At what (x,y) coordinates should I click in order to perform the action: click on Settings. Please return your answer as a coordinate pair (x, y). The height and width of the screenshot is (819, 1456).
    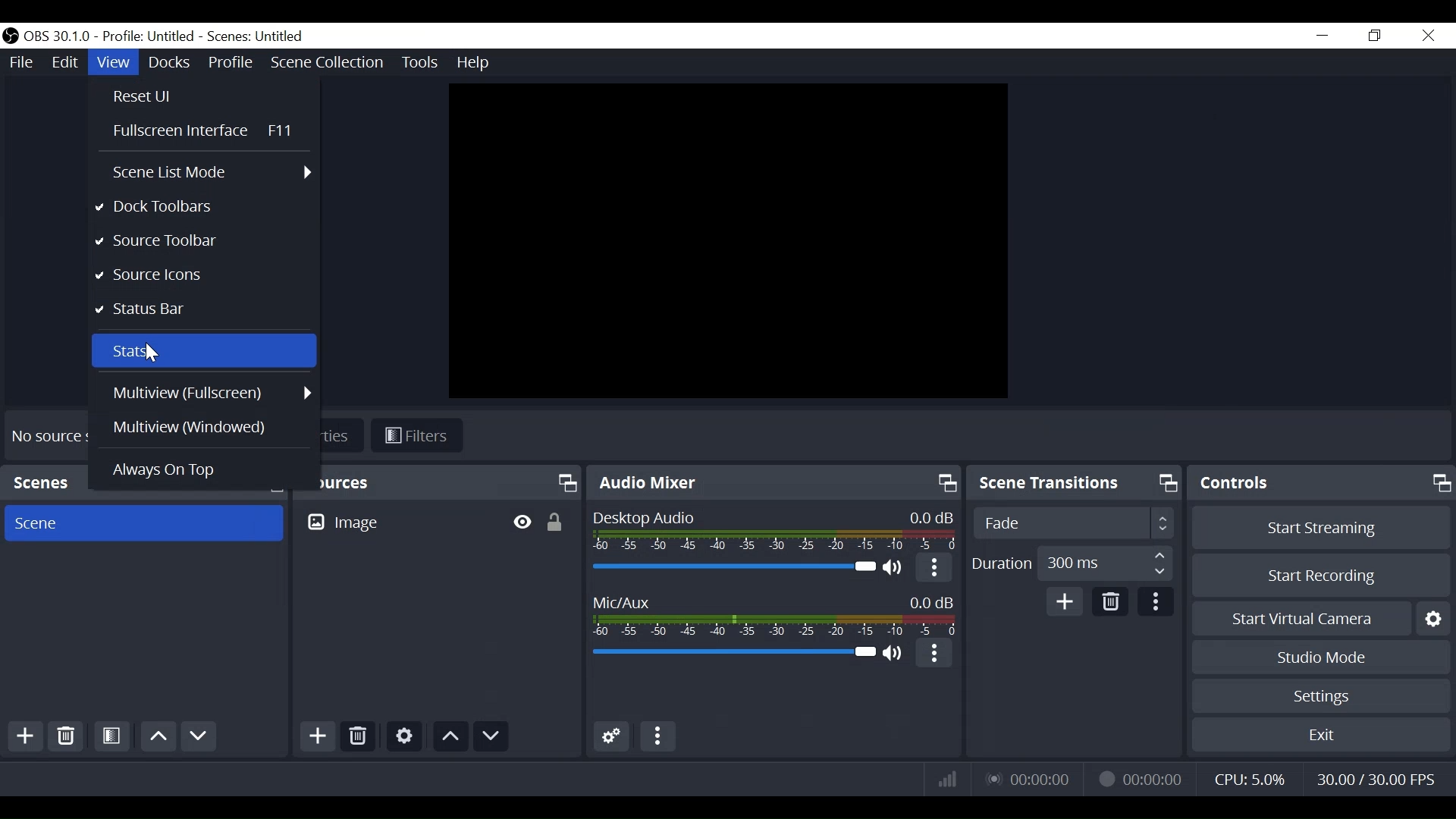
    Looking at the image, I should click on (404, 736).